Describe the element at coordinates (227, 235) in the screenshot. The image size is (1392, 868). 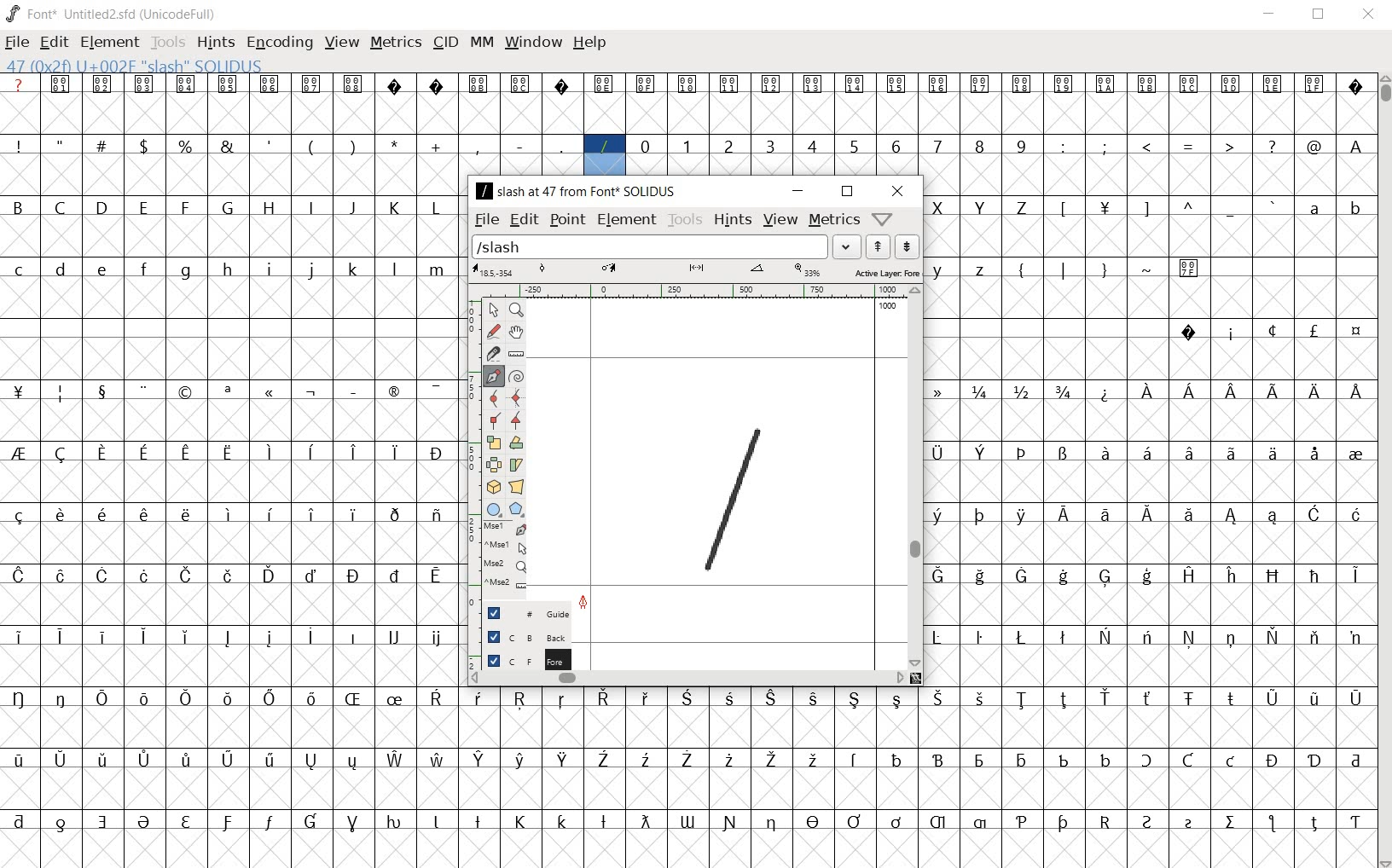
I see `empty cells` at that location.